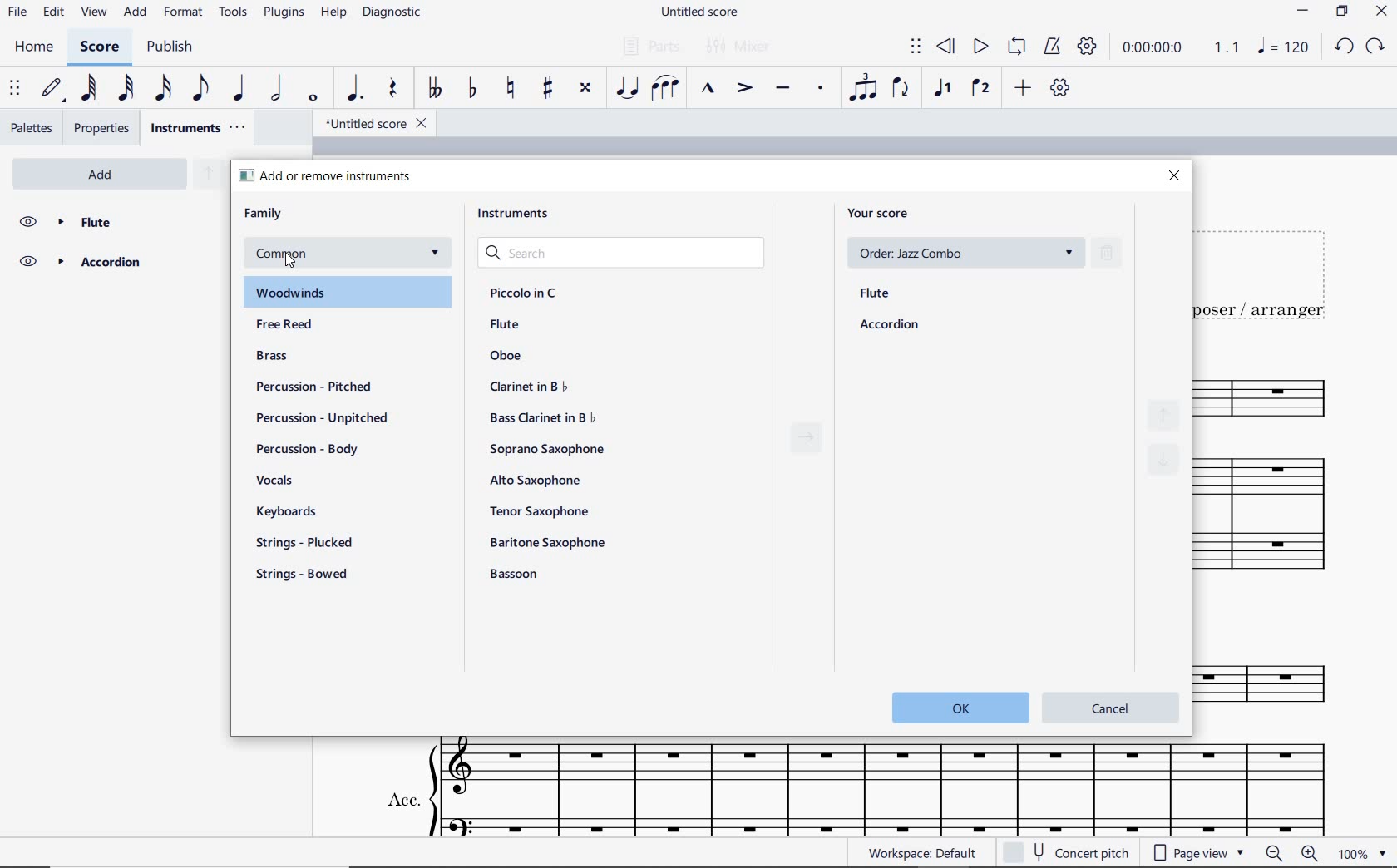 The width and height of the screenshot is (1397, 868). I want to click on Tenor Saxophone, so click(540, 510).